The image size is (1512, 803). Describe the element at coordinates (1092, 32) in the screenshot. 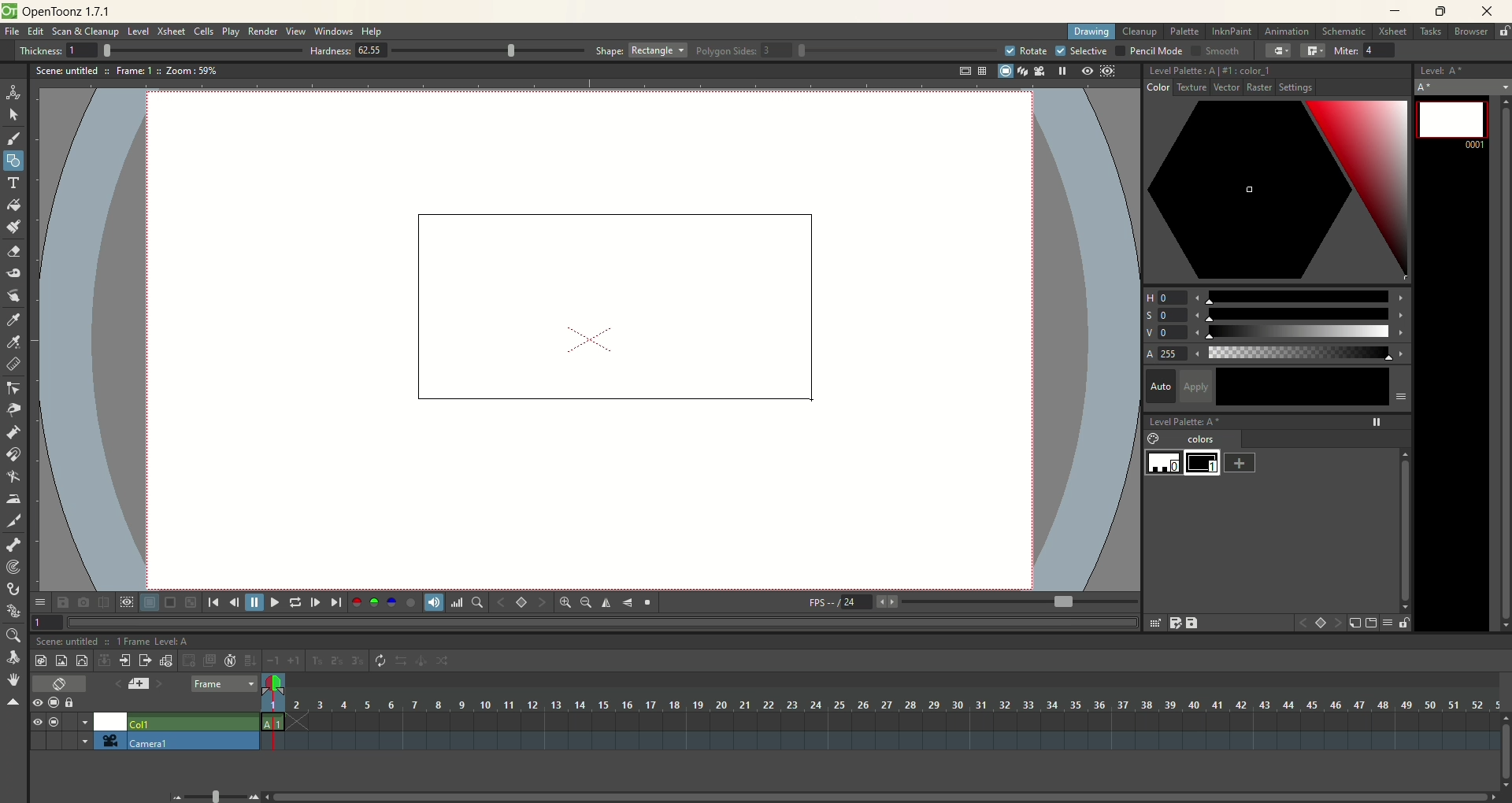

I see `drawing` at that location.